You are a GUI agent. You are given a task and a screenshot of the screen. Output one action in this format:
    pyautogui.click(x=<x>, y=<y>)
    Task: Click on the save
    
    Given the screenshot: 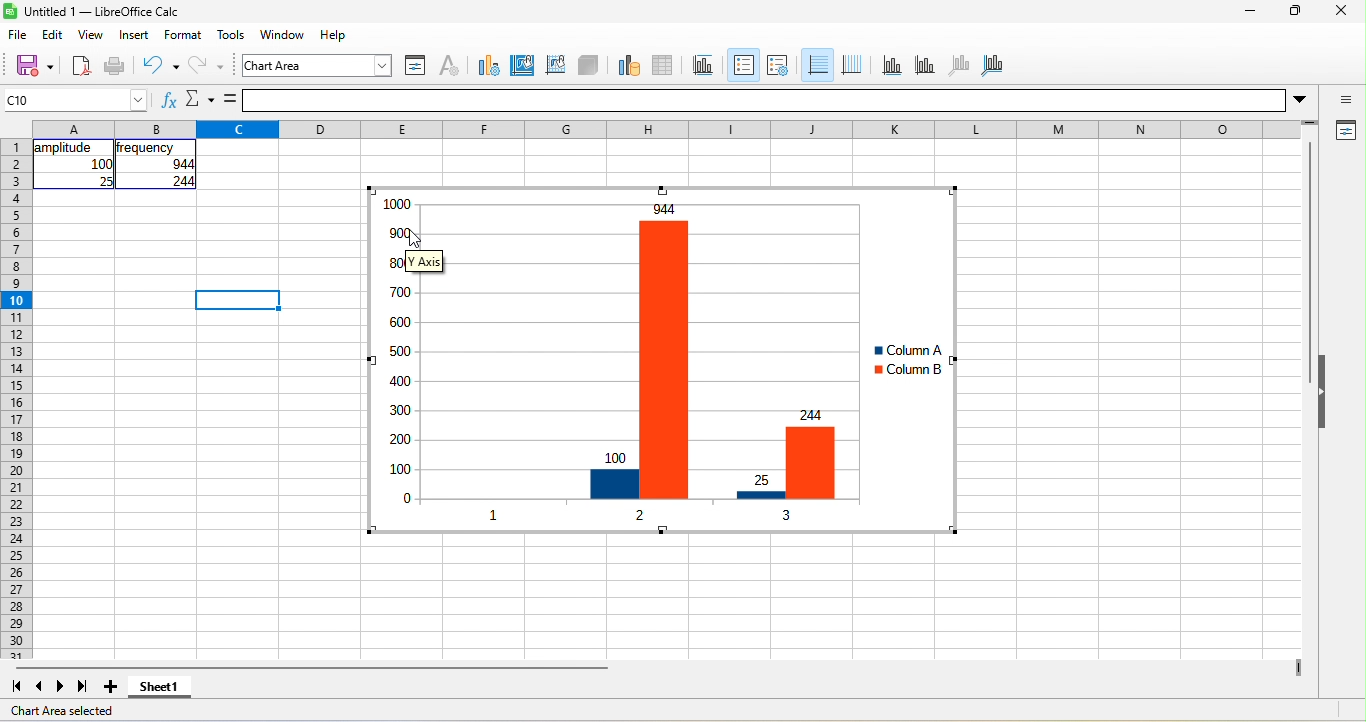 What is the action you would take?
    pyautogui.click(x=28, y=65)
    